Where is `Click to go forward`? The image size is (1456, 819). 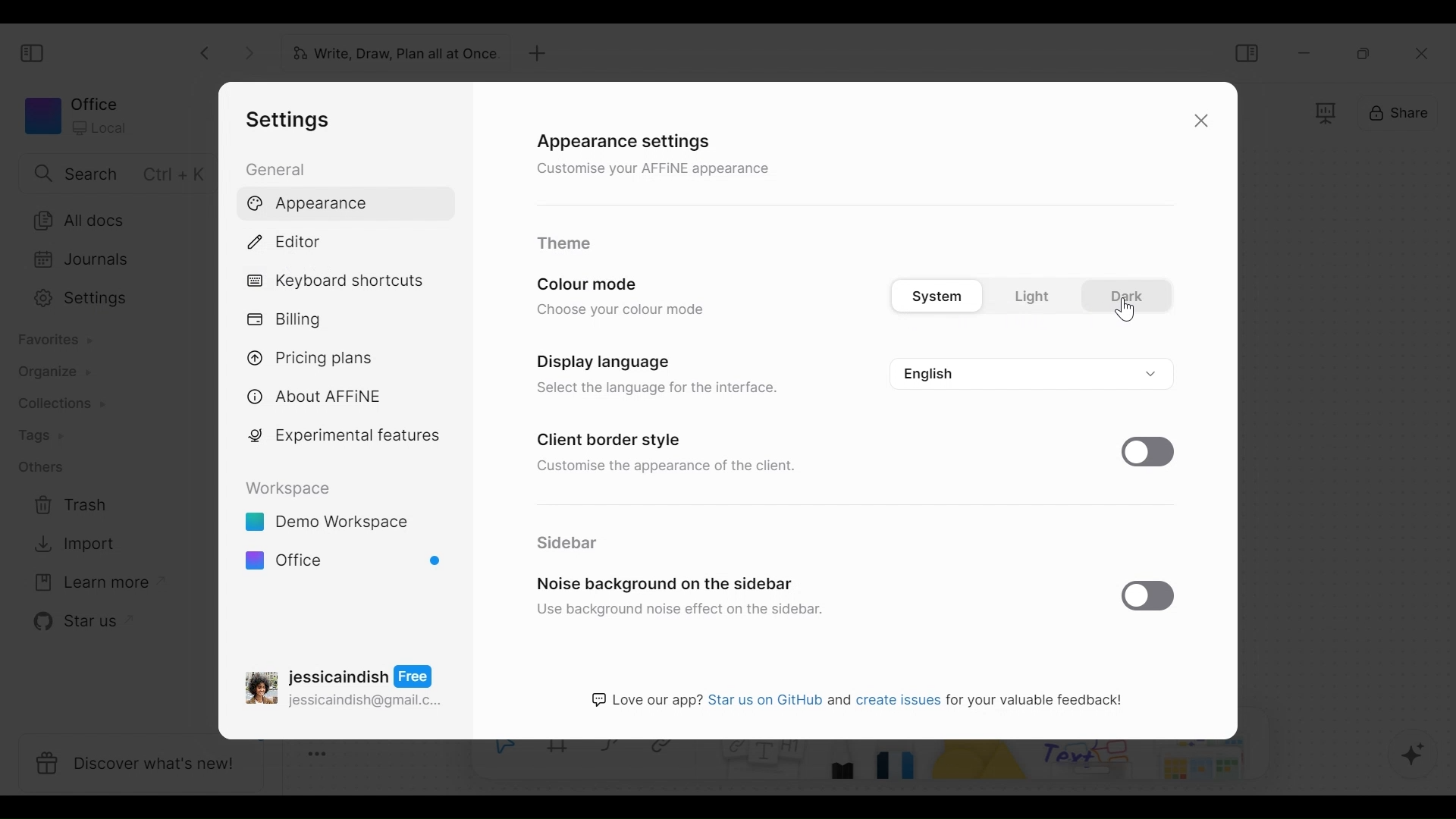
Click to go forward is located at coordinates (244, 53).